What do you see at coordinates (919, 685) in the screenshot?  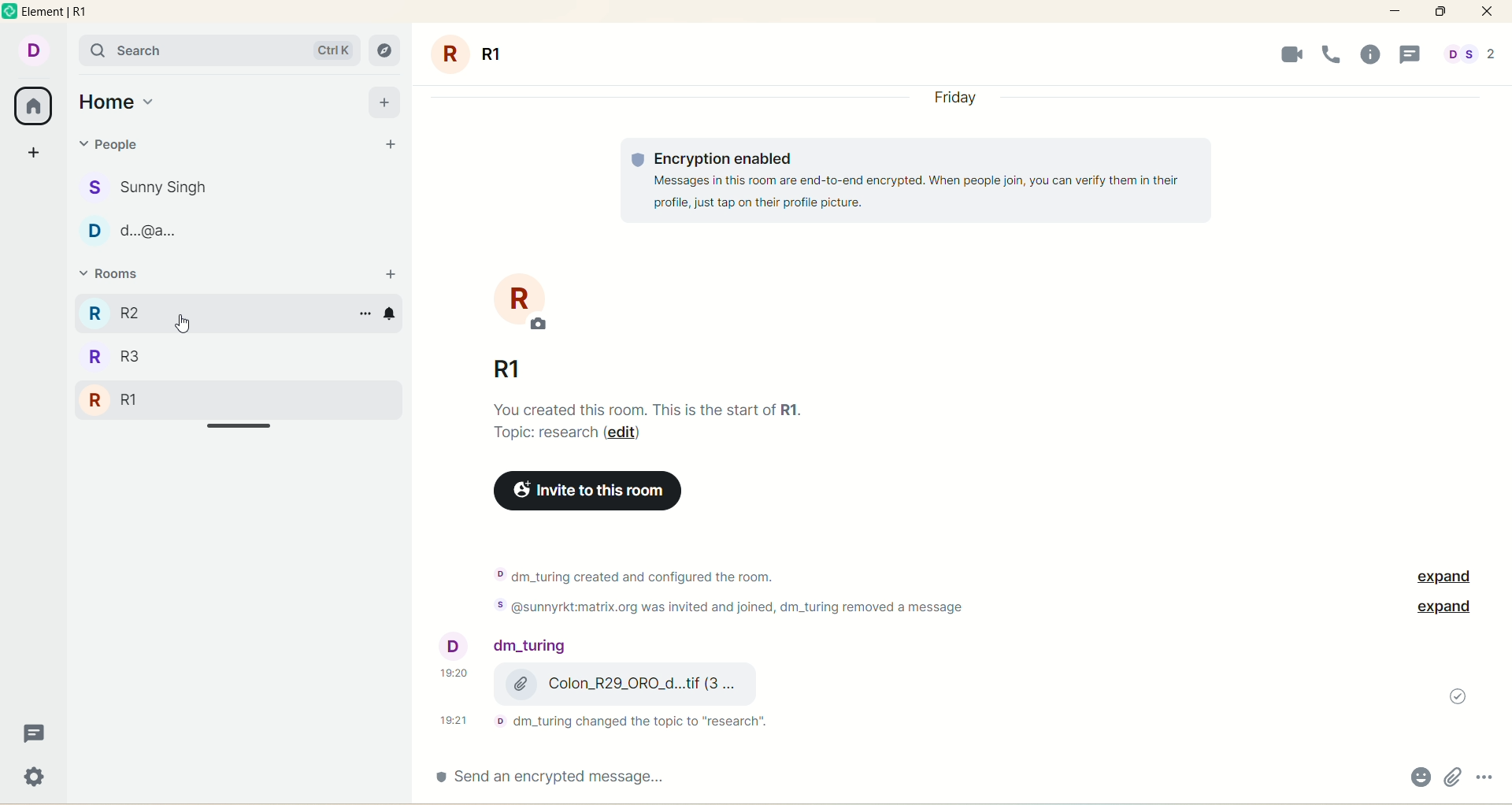 I see `image` at bounding box center [919, 685].